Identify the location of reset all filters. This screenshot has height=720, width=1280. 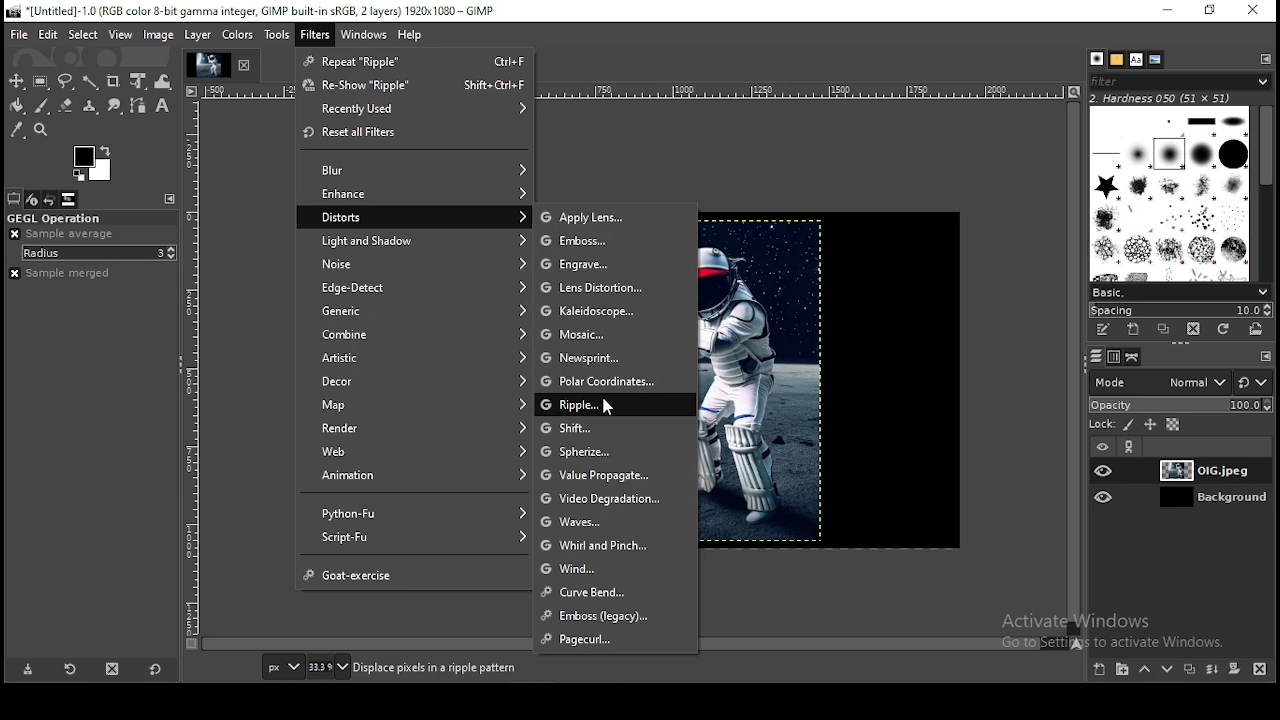
(418, 136).